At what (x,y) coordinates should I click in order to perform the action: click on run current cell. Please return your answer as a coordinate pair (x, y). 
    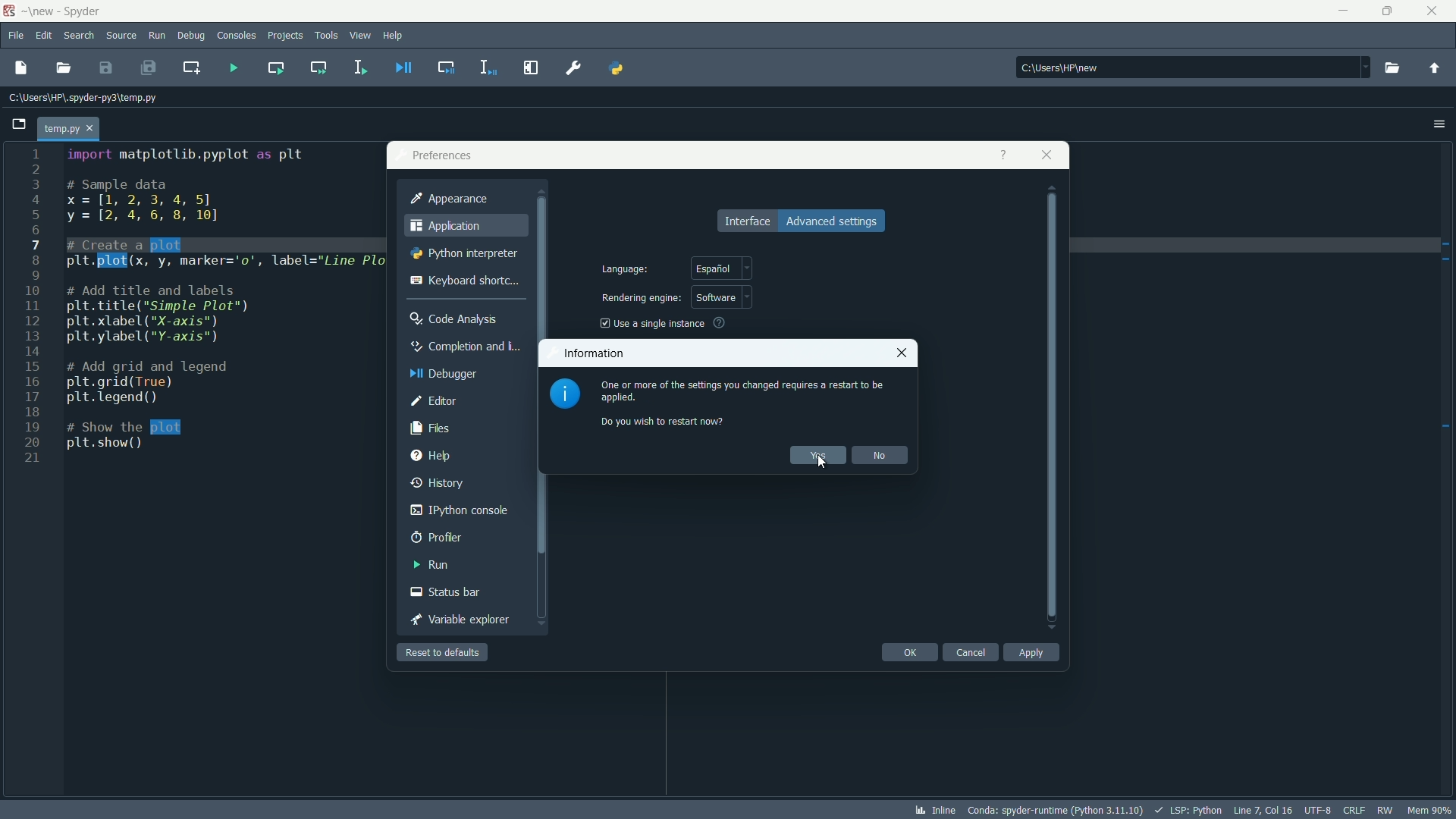
    Looking at the image, I should click on (275, 67).